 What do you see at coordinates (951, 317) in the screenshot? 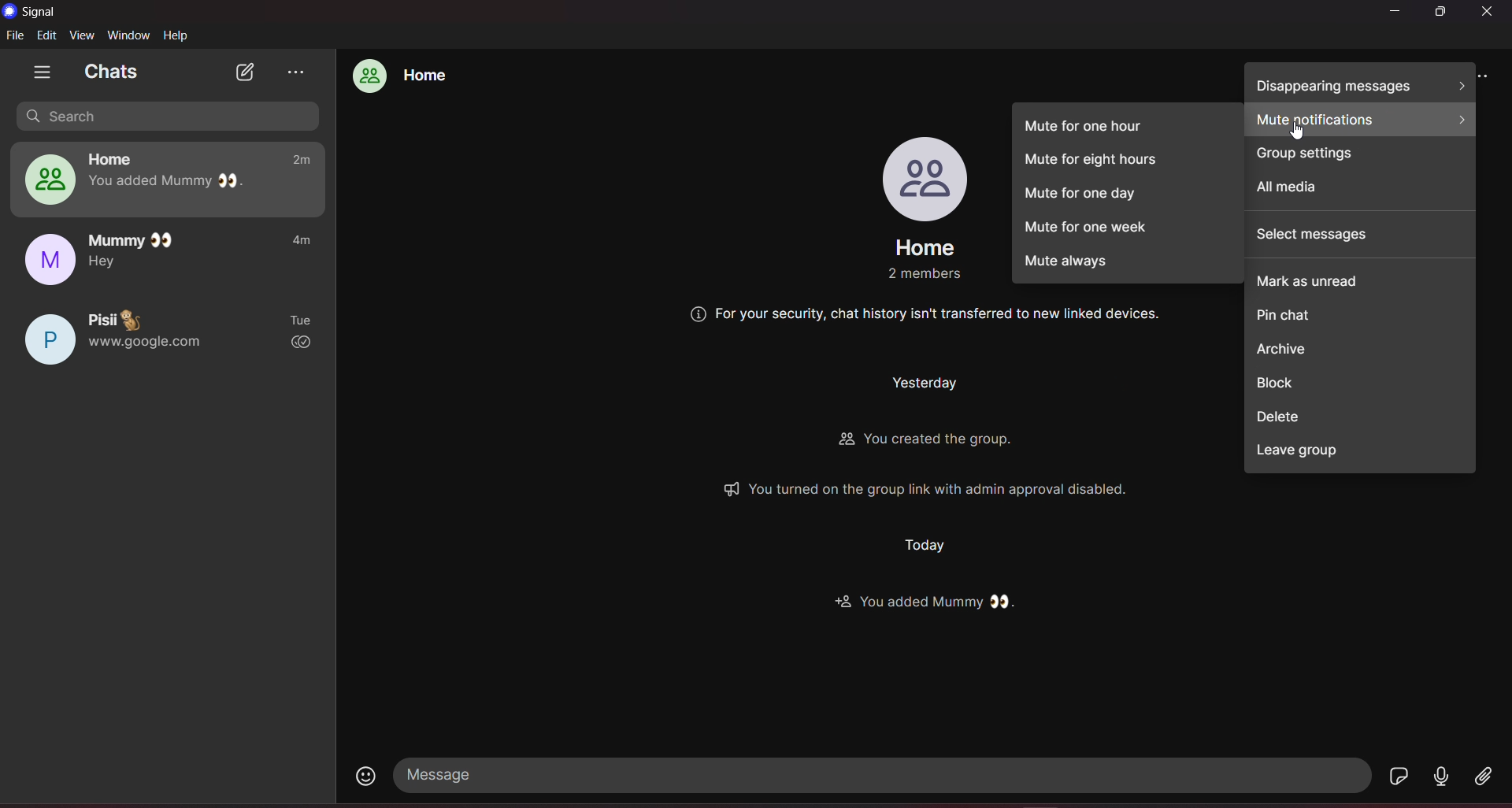
I see `` at bounding box center [951, 317].